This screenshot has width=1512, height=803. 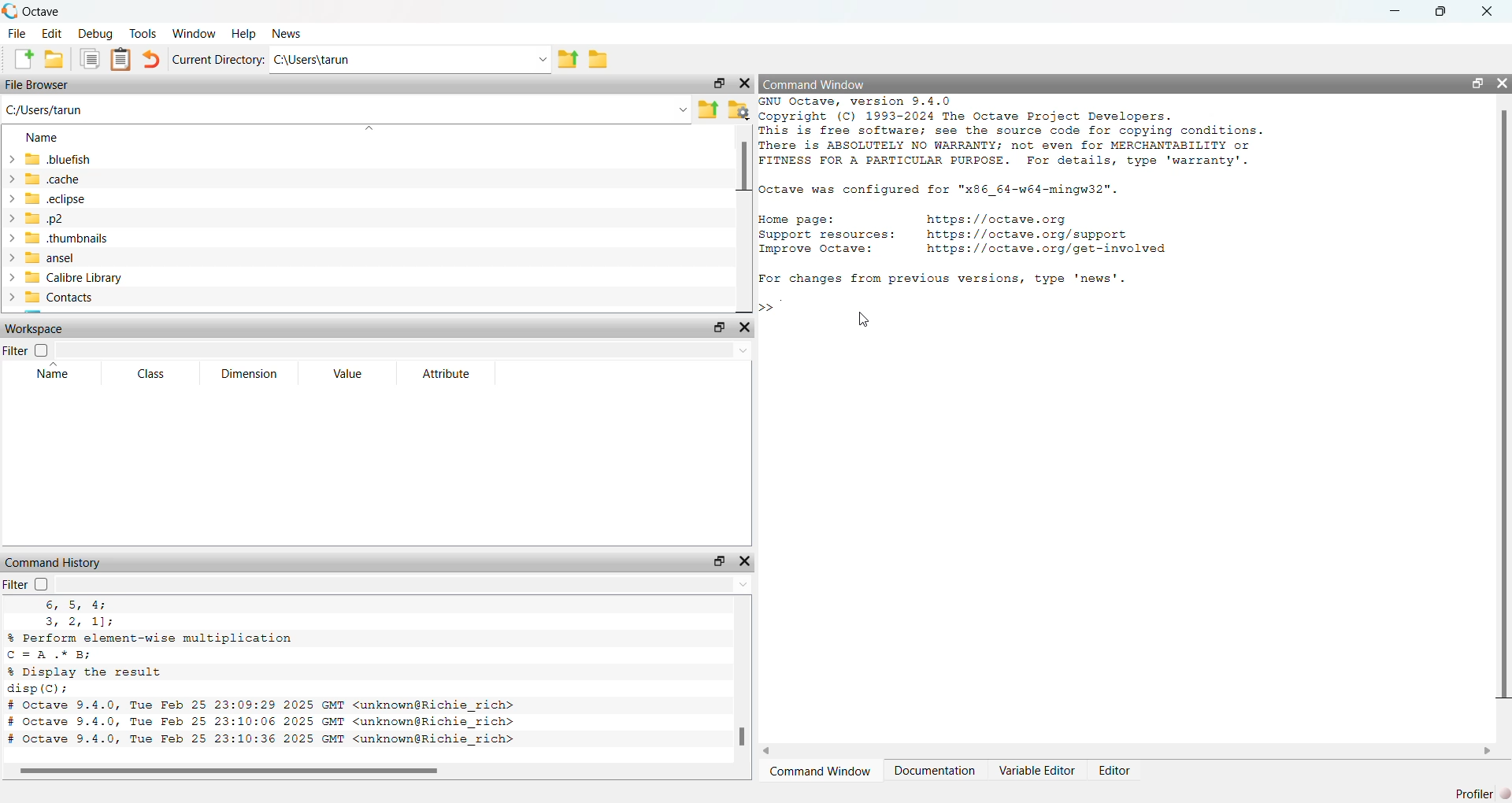 What do you see at coordinates (244, 34) in the screenshot?
I see `Help` at bounding box center [244, 34].